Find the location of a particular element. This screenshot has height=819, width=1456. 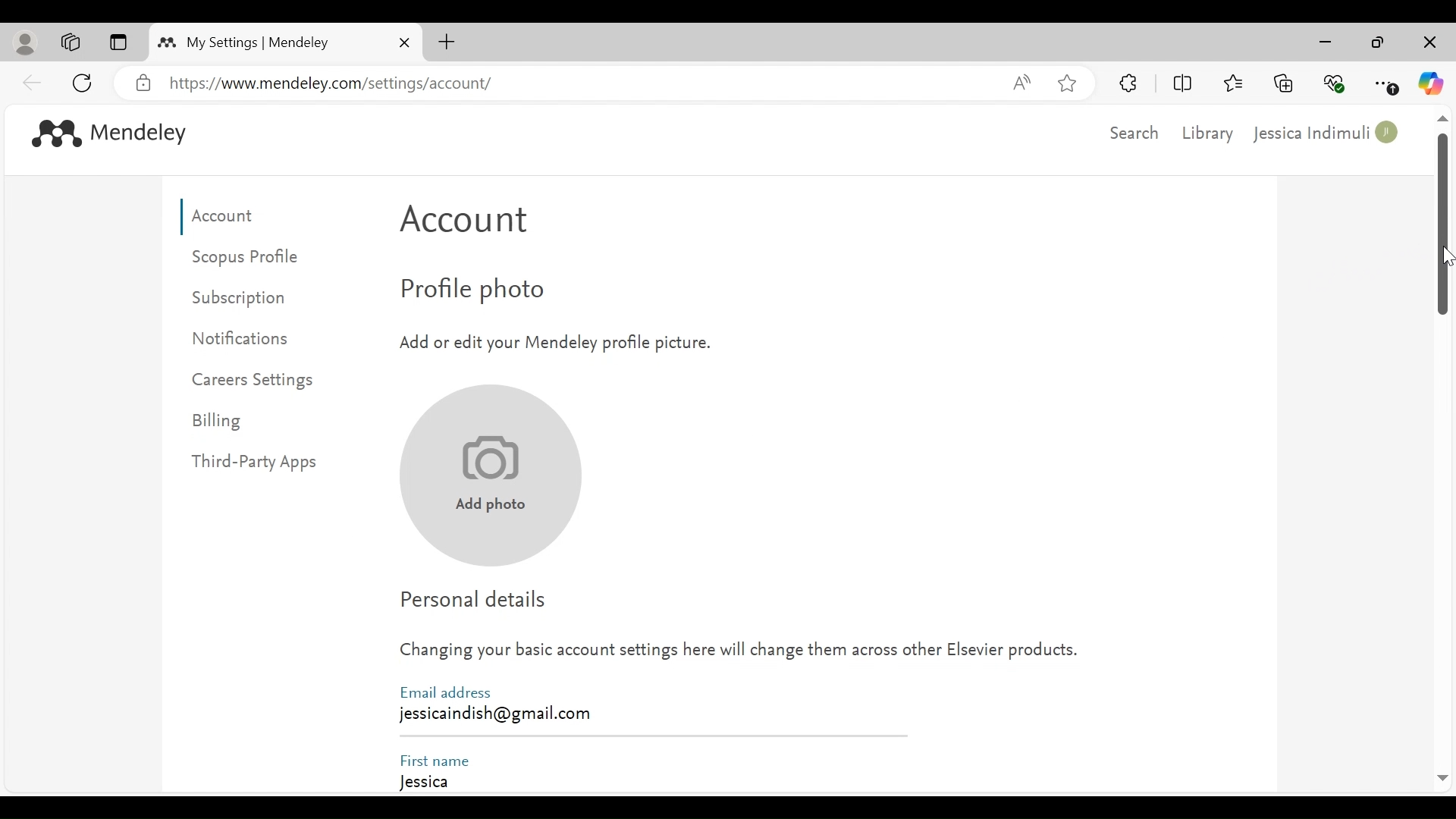

New Tab is located at coordinates (447, 42).